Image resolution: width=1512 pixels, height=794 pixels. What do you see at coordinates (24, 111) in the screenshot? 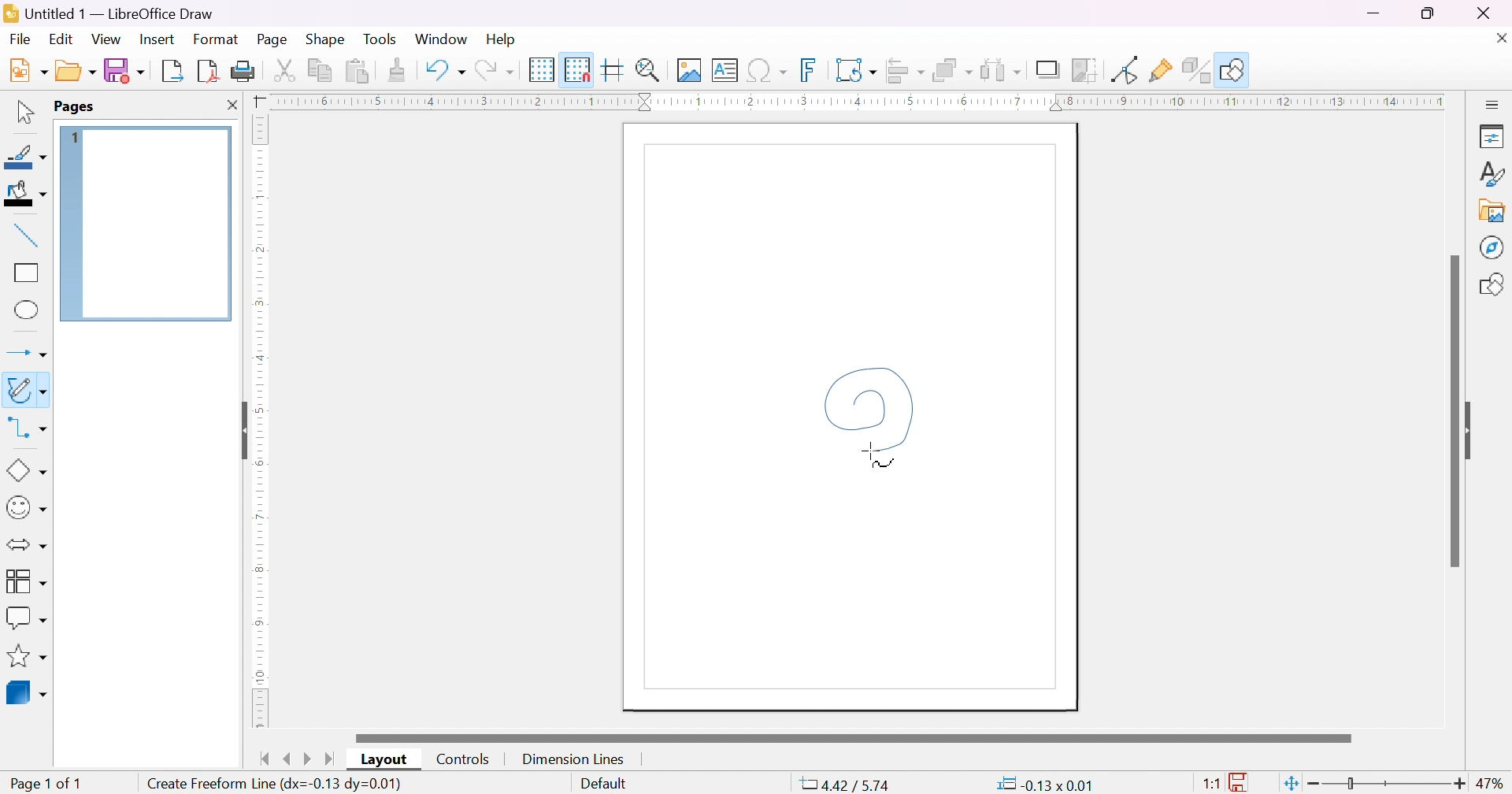
I see `selection tool` at bounding box center [24, 111].